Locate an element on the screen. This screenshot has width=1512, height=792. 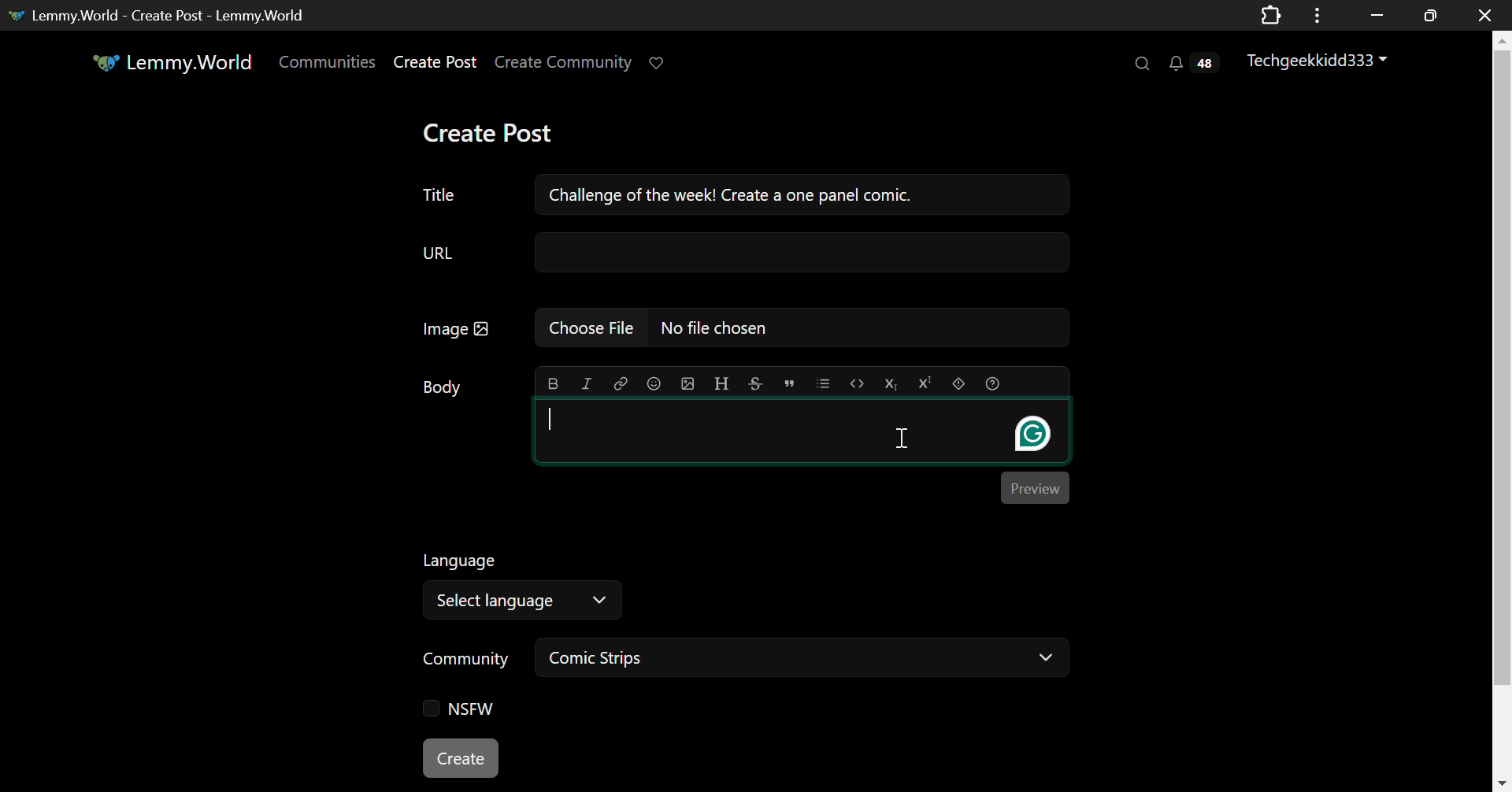
Formatting Help is located at coordinates (992, 381).